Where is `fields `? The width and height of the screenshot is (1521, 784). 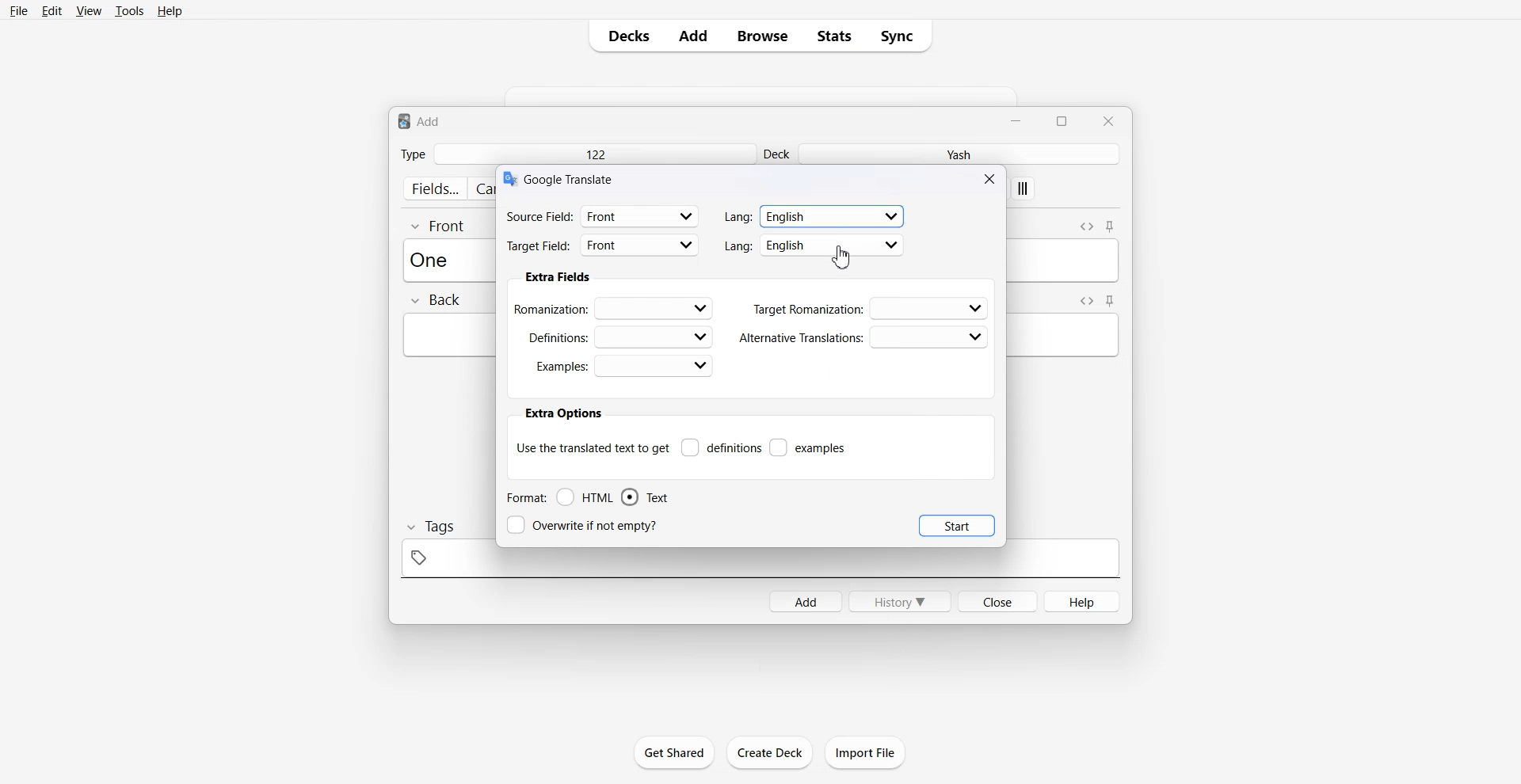
fields  is located at coordinates (434, 188).